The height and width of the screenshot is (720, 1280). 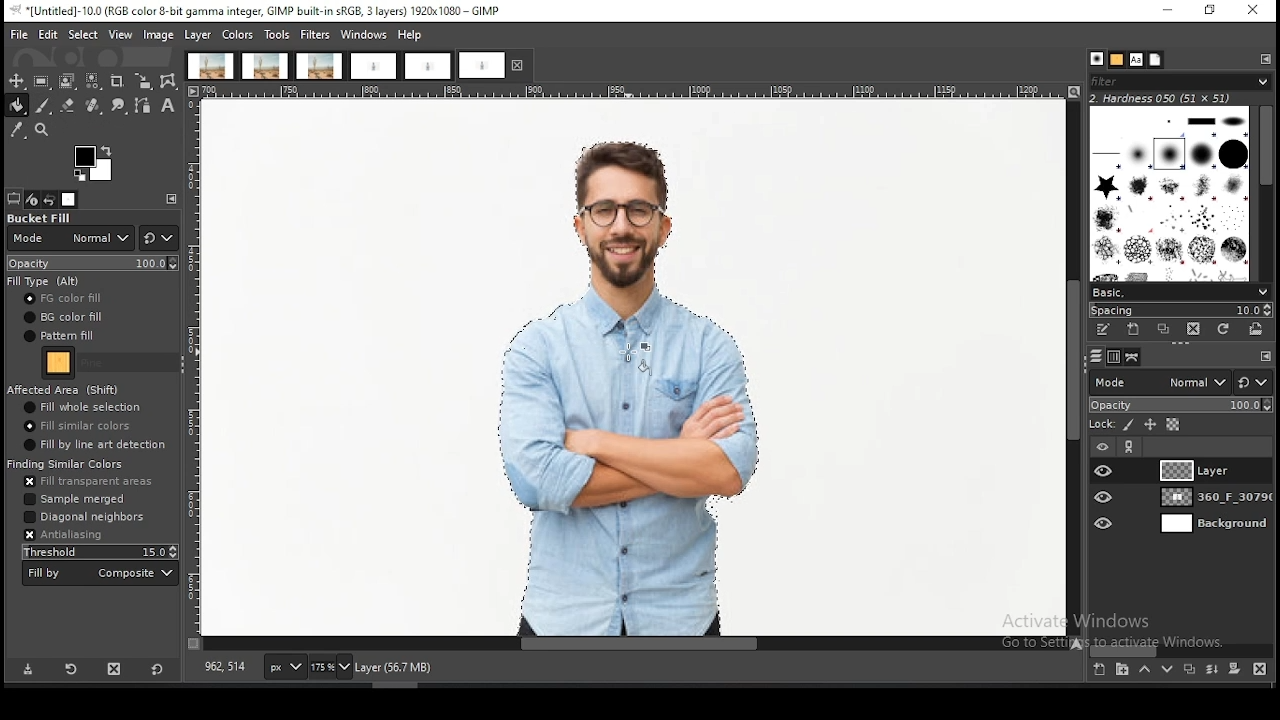 What do you see at coordinates (332, 669) in the screenshot?
I see `zoom status` at bounding box center [332, 669].